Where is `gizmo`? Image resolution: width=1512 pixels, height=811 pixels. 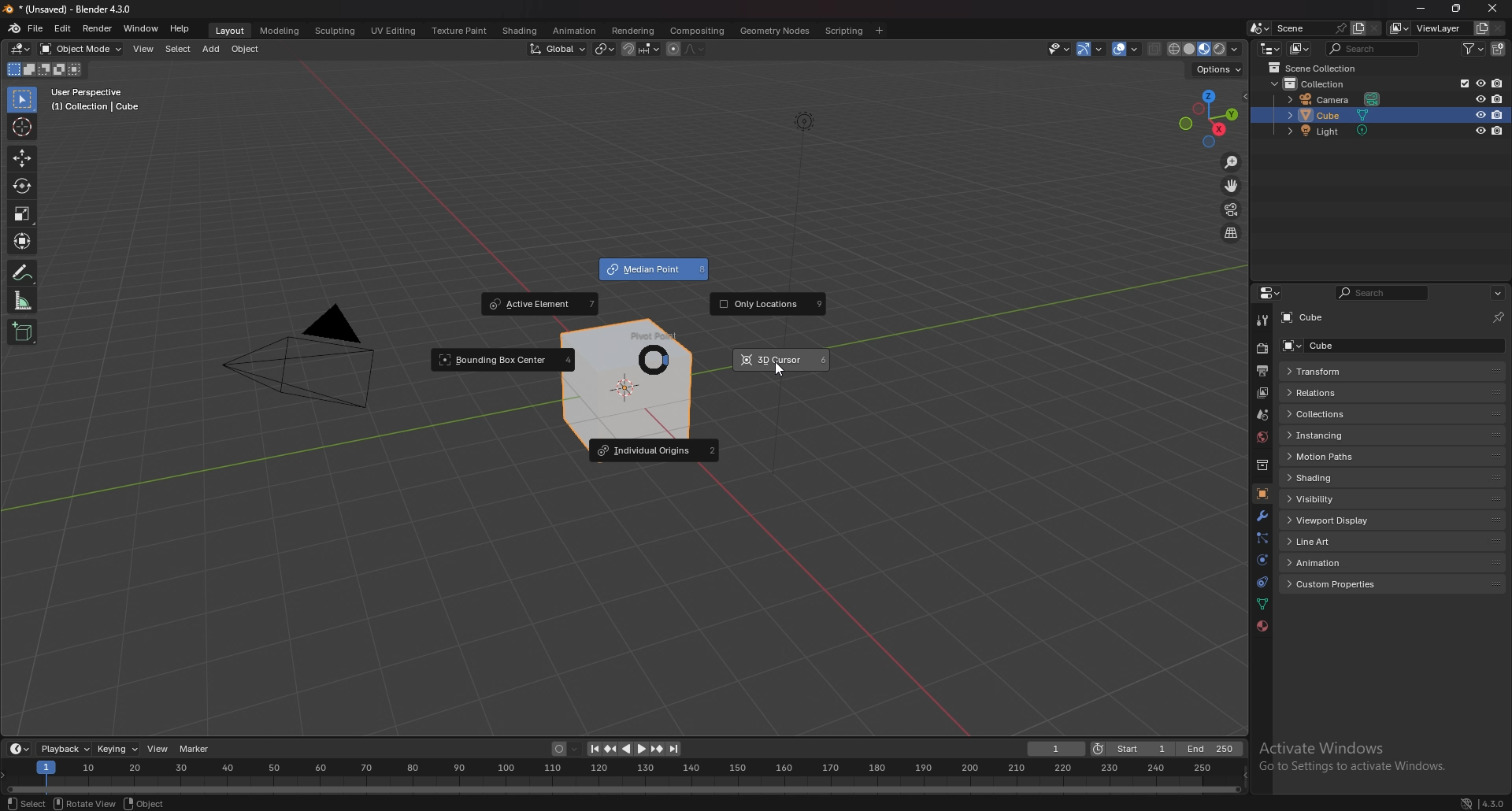 gizmo is located at coordinates (1091, 50).